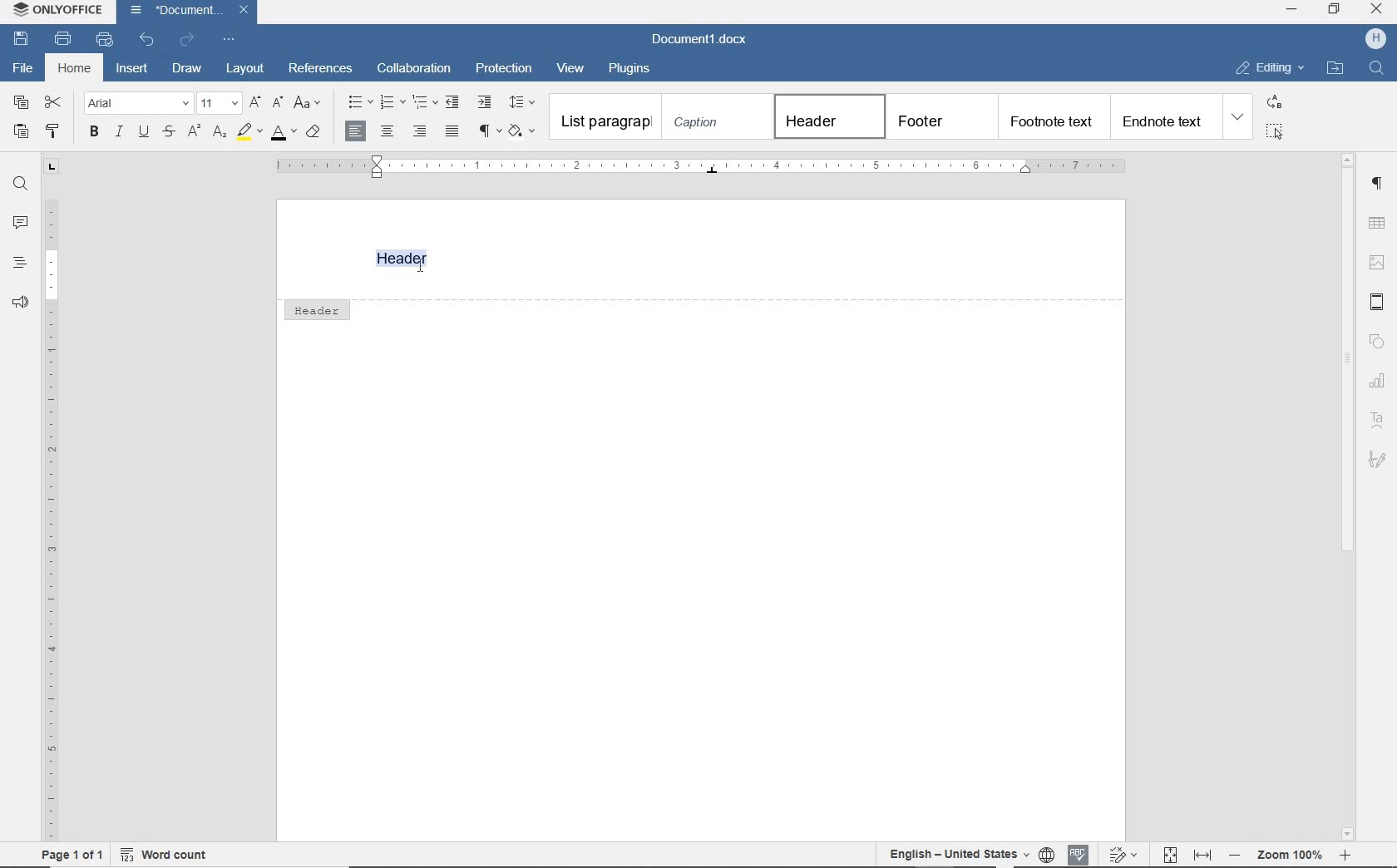 The height and width of the screenshot is (868, 1397). Describe the element at coordinates (694, 167) in the screenshot. I see `ruler` at that location.